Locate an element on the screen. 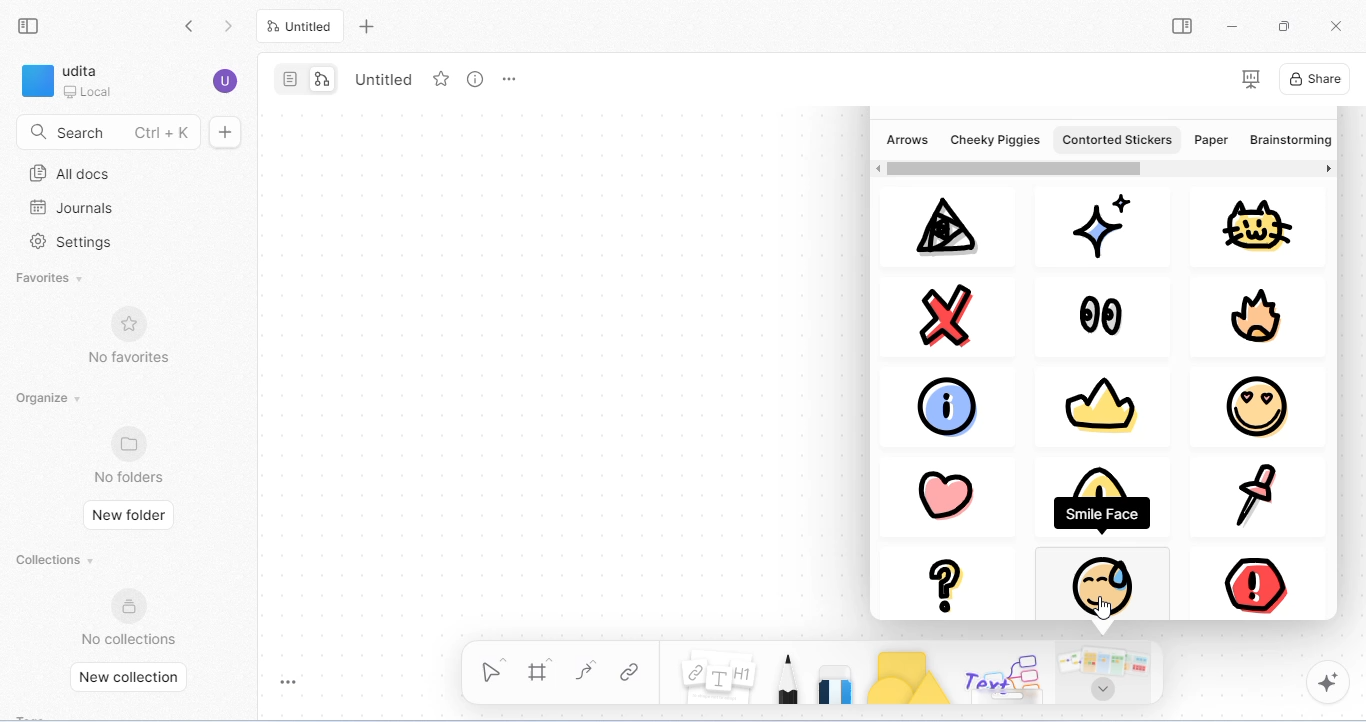 The height and width of the screenshot is (722, 1366). frame is located at coordinates (540, 670).